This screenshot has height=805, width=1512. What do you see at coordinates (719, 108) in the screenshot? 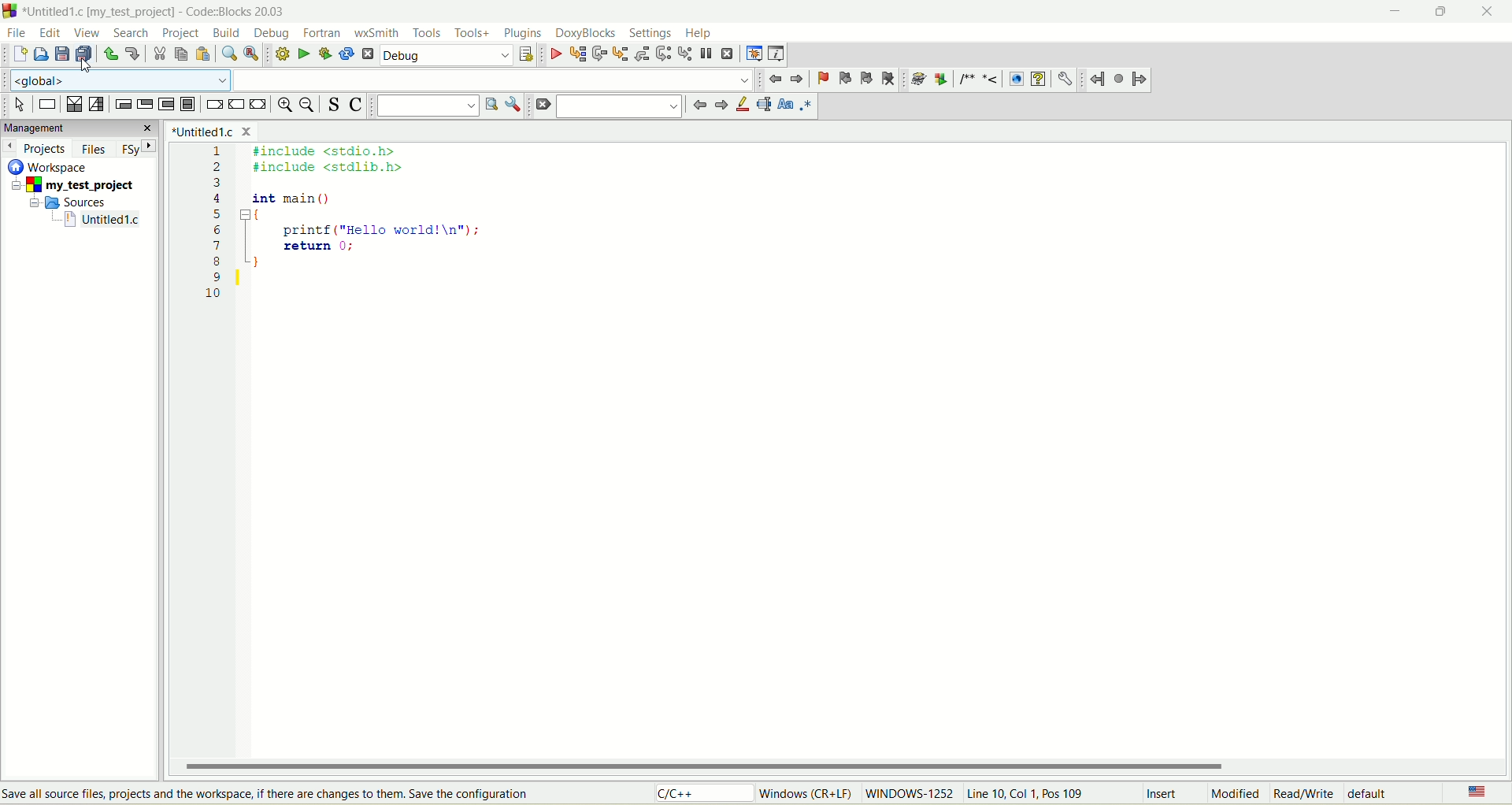
I see `go back` at bounding box center [719, 108].